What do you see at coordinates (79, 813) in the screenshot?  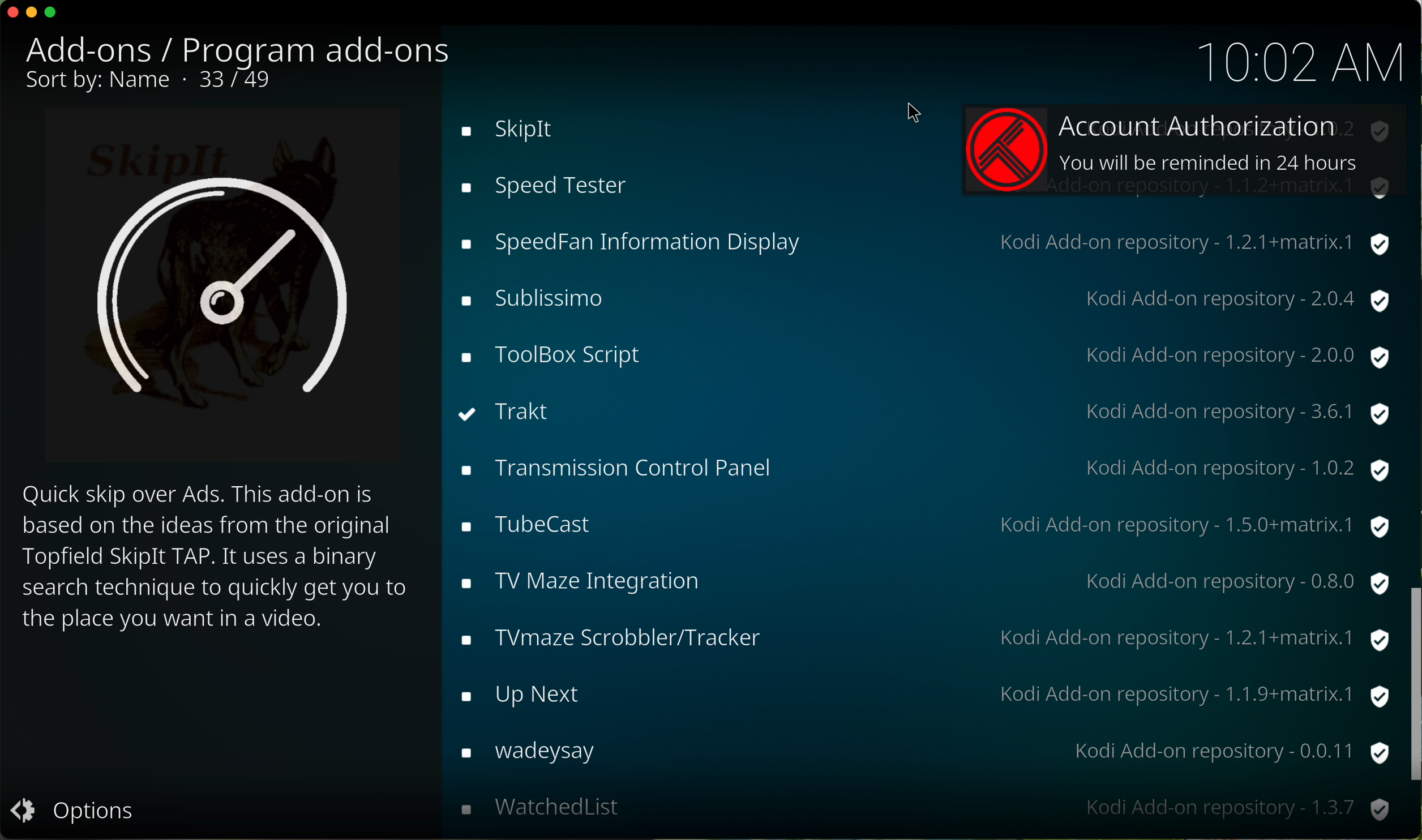 I see `options` at bounding box center [79, 813].